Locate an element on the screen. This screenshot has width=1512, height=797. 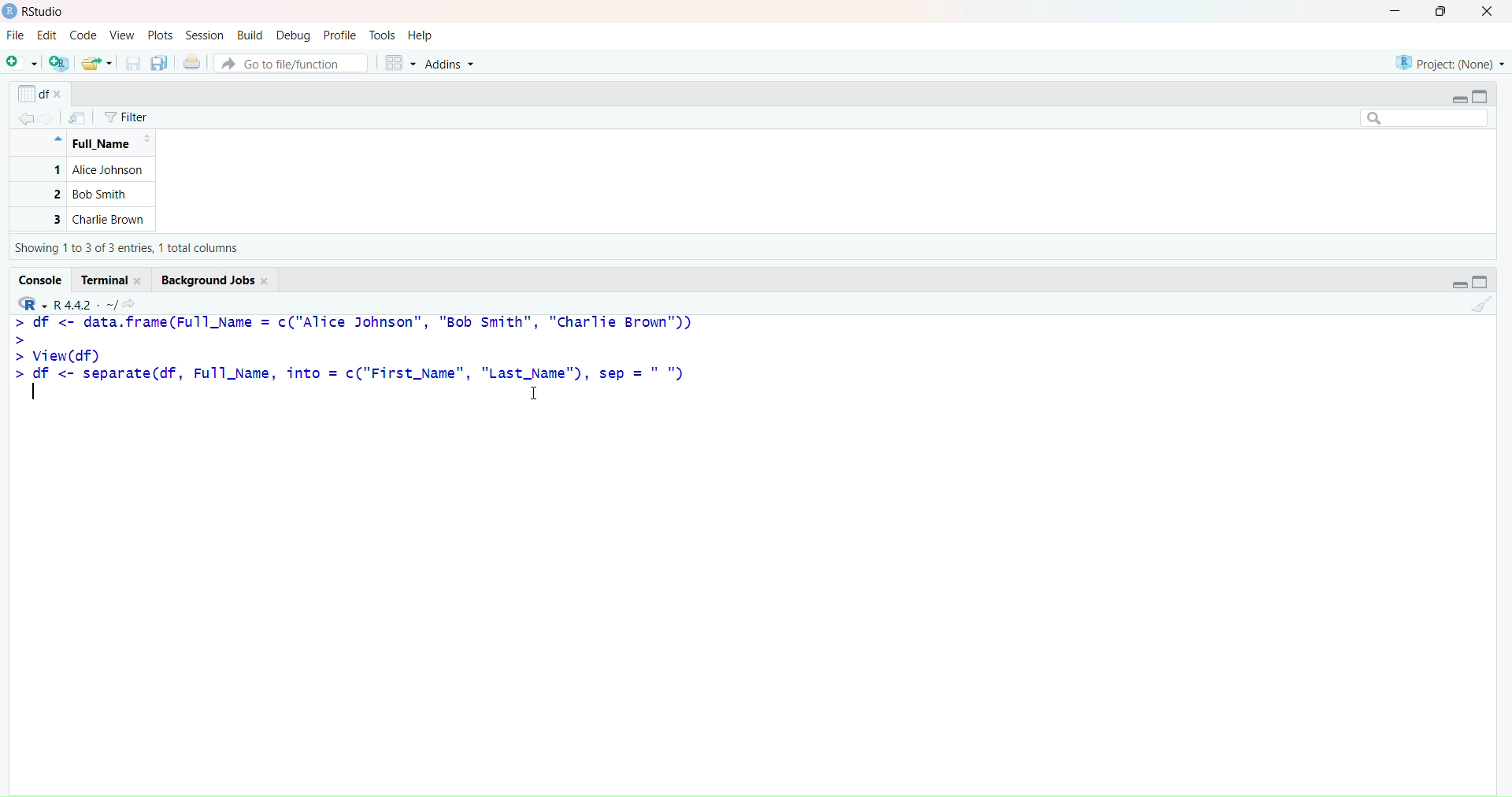
Tools is located at coordinates (383, 34).